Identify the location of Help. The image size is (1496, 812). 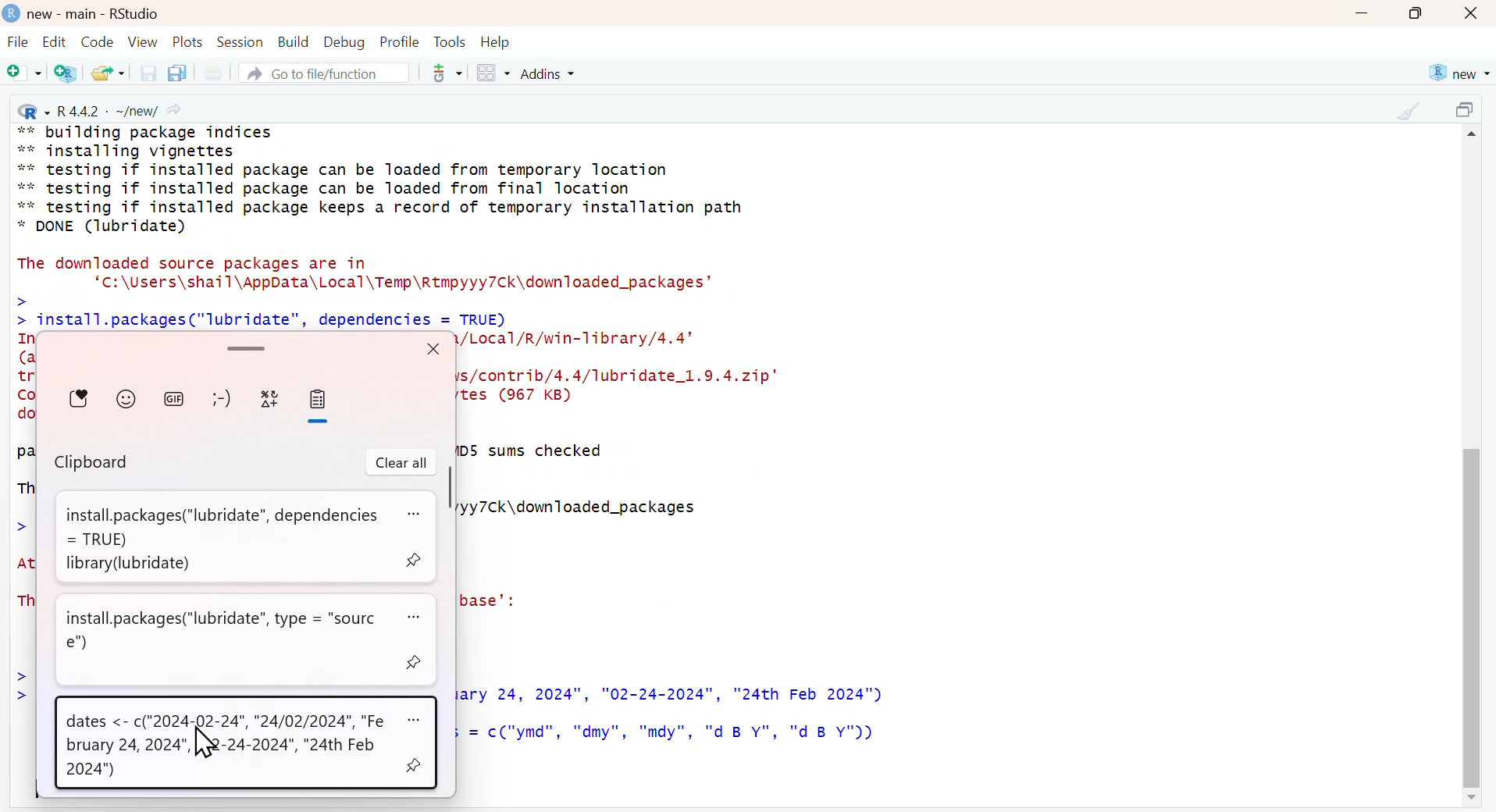
(496, 42).